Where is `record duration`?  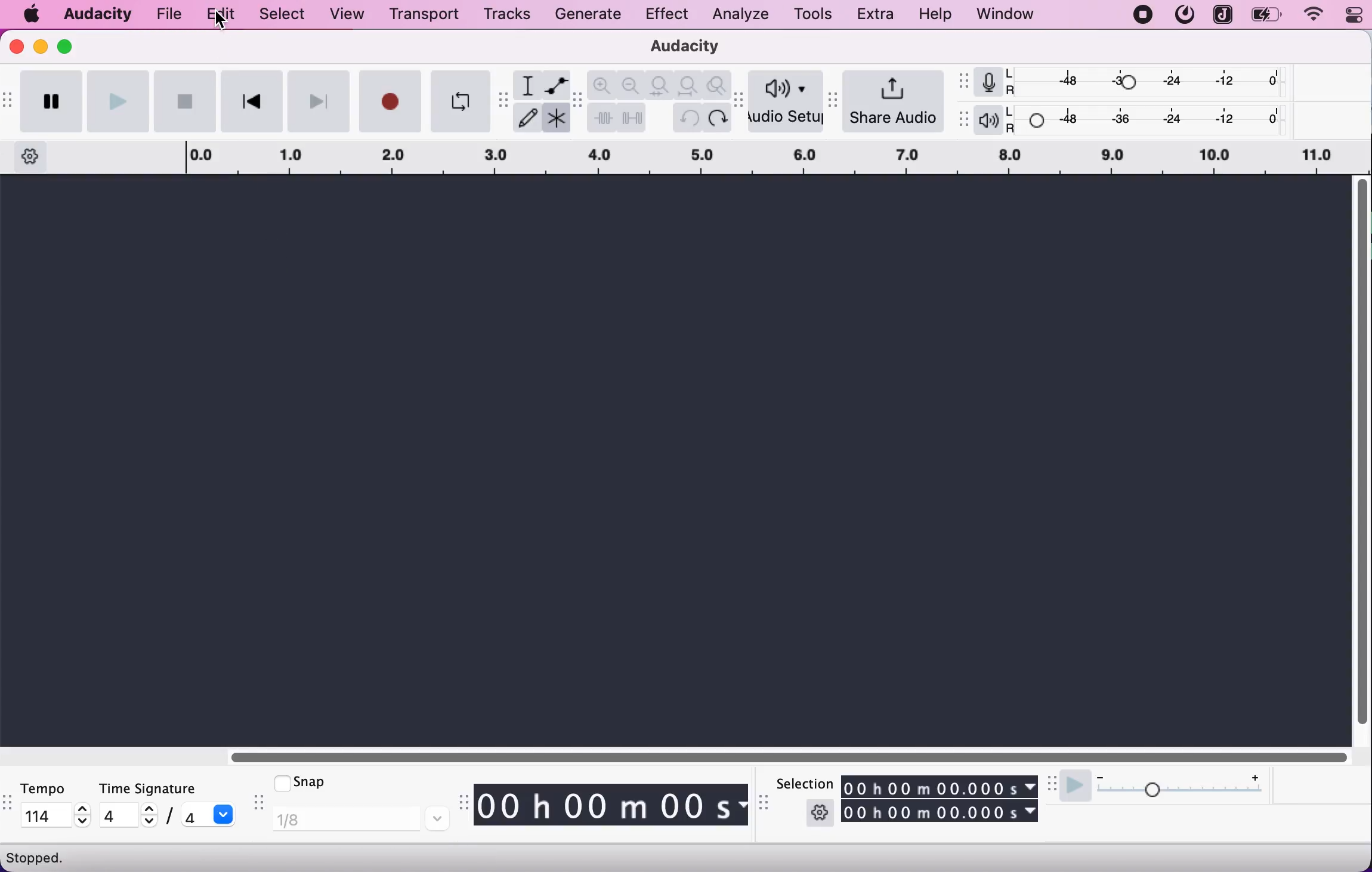 record duration is located at coordinates (712, 160).